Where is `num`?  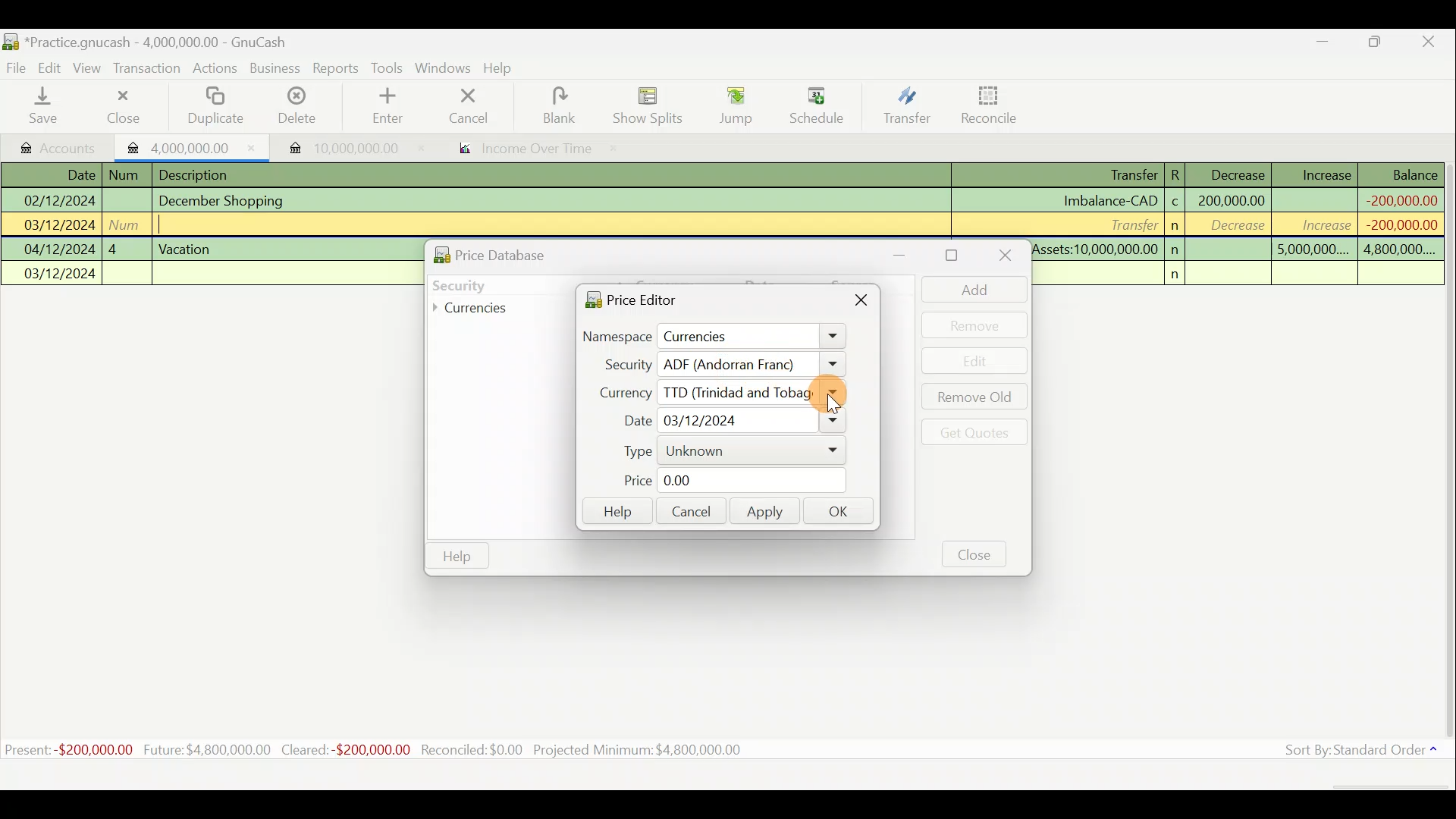 num is located at coordinates (128, 224).